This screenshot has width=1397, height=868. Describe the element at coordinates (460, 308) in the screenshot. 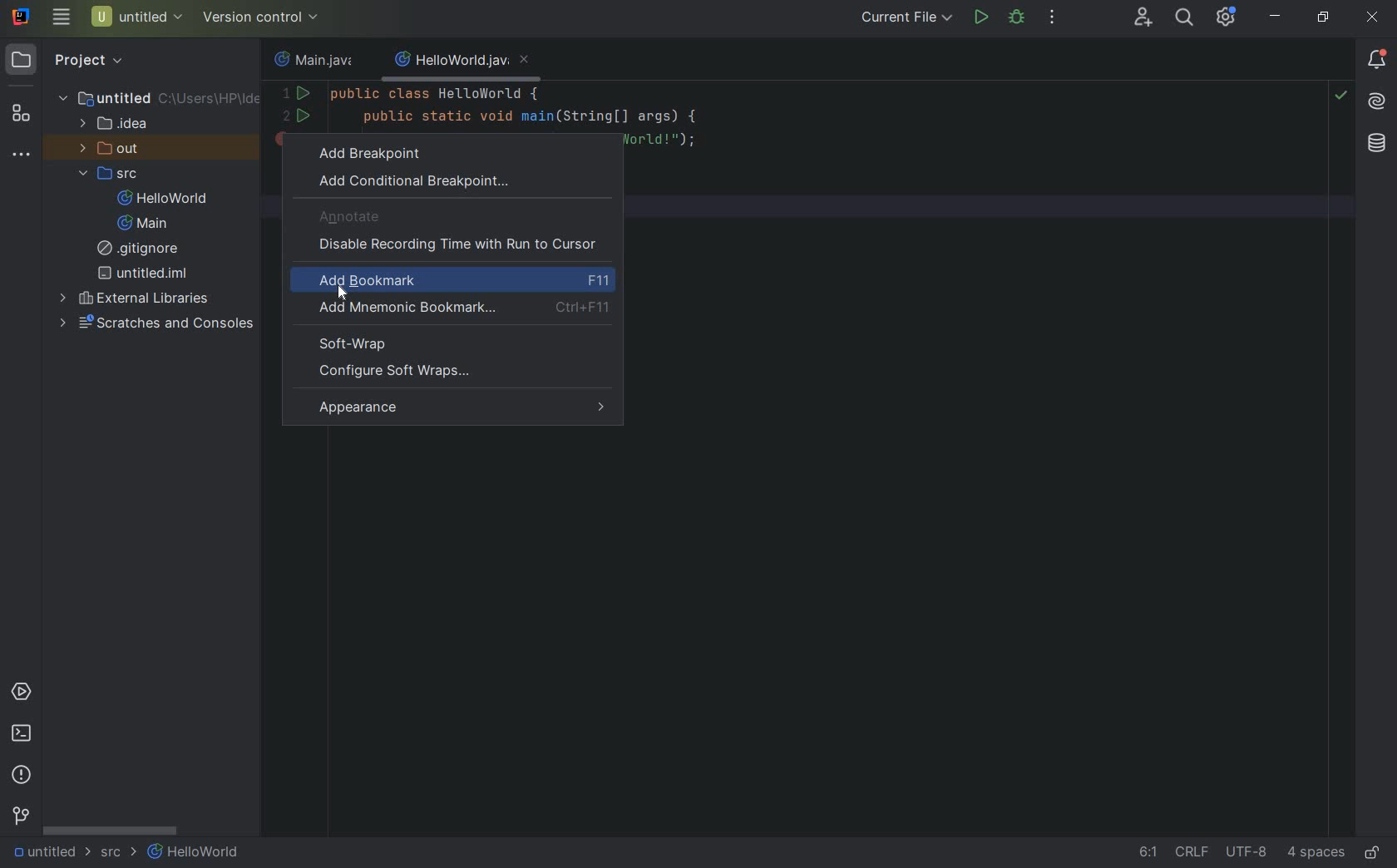

I see `add mnemonic bookmark` at that location.